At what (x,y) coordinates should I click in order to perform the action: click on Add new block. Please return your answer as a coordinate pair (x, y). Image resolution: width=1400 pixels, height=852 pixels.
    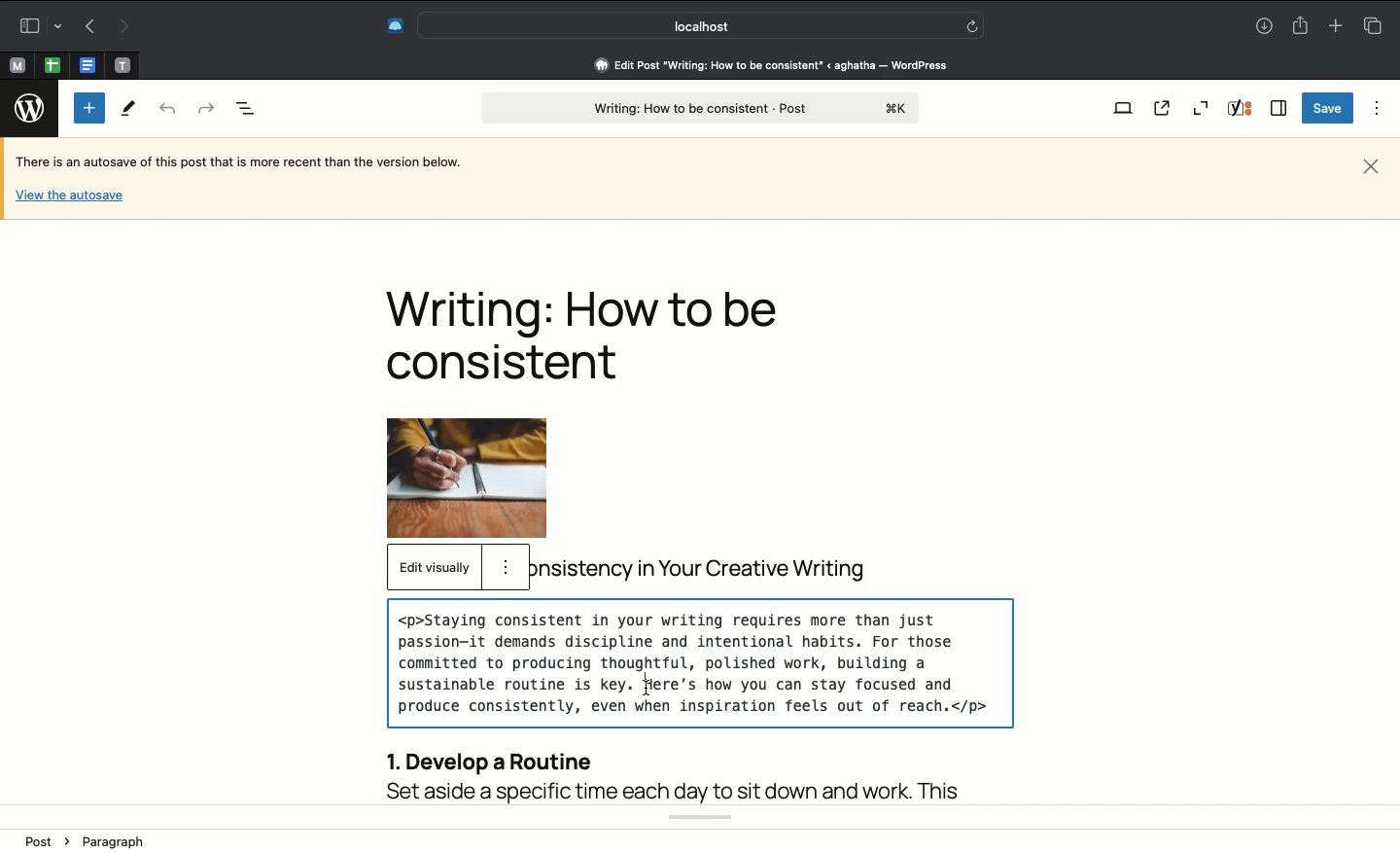
    Looking at the image, I should click on (89, 108).